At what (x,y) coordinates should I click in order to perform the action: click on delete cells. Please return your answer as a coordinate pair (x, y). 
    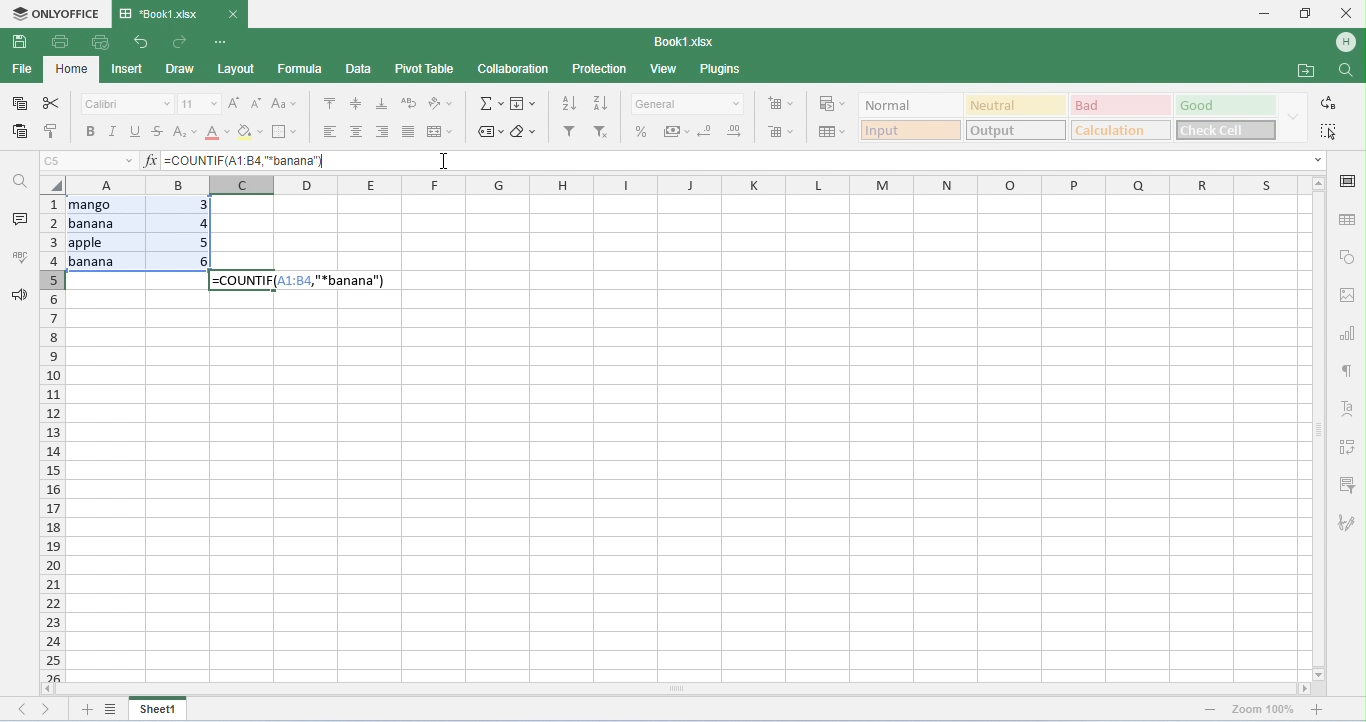
    Looking at the image, I should click on (779, 132).